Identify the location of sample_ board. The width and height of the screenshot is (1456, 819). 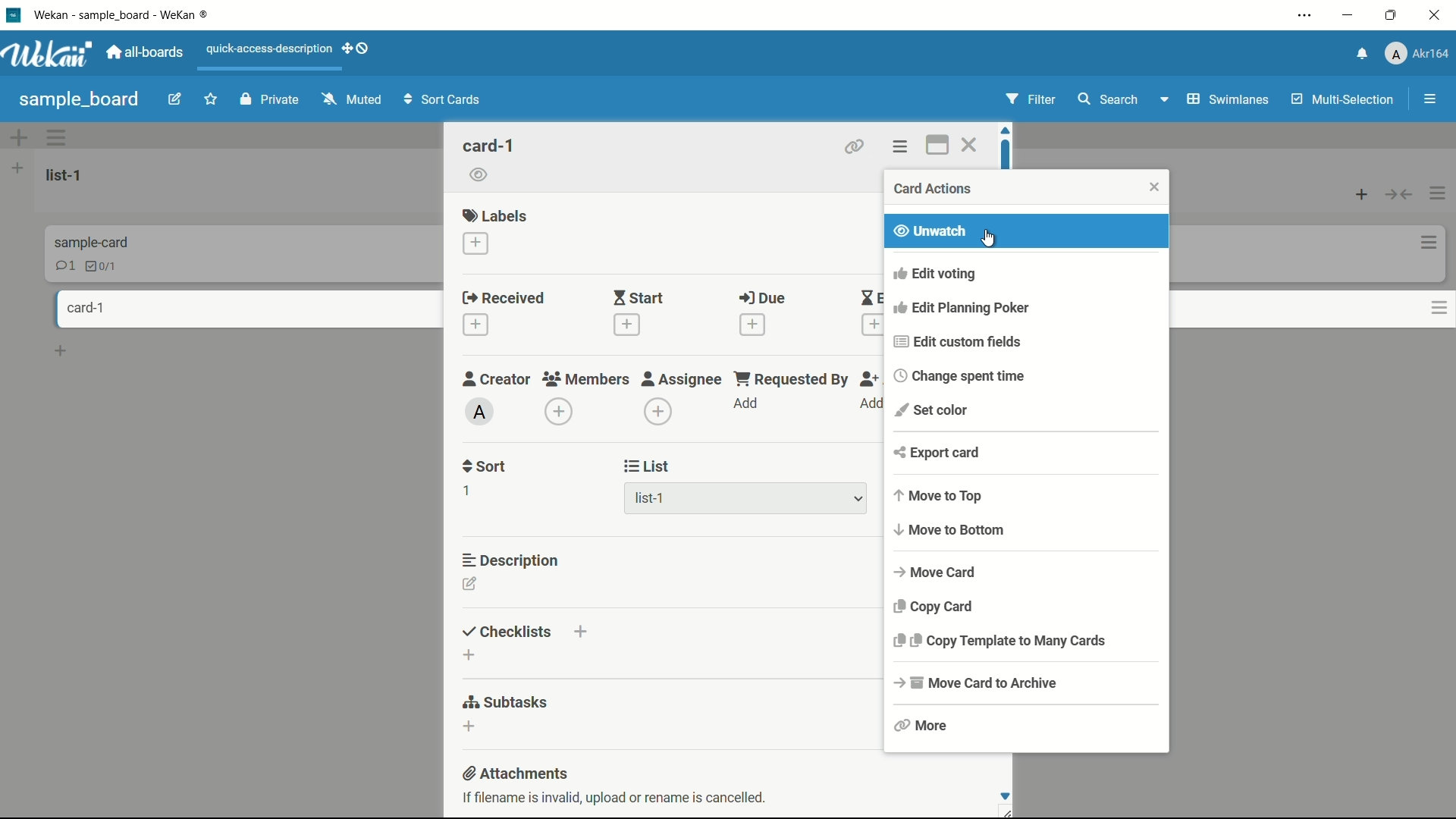
(80, 99).